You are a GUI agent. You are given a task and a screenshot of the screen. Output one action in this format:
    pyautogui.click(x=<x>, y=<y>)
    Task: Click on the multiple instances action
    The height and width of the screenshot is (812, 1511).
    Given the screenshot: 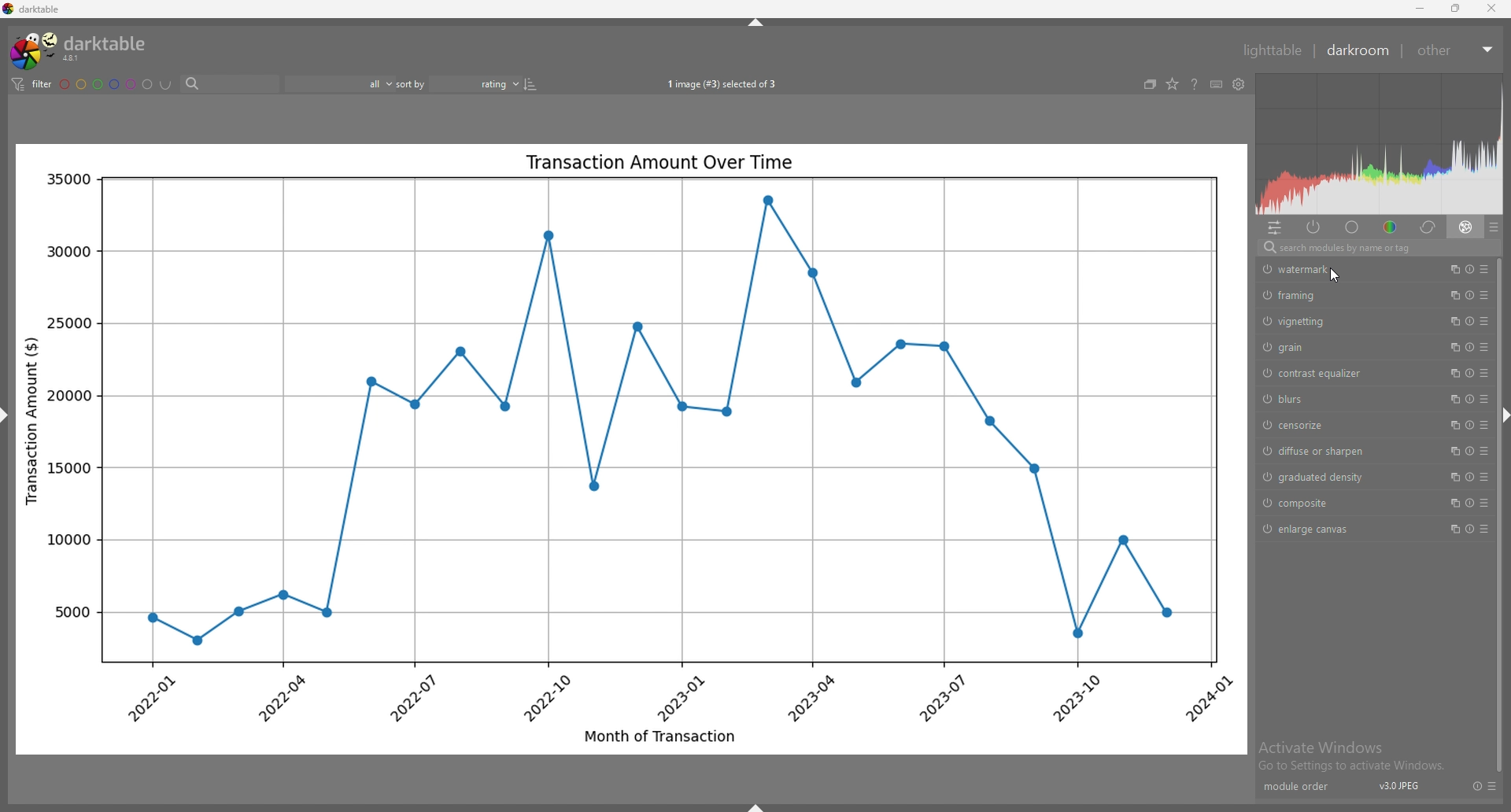 What is the action you would take?
    pyautogui.click(x=1452, y=477)
    